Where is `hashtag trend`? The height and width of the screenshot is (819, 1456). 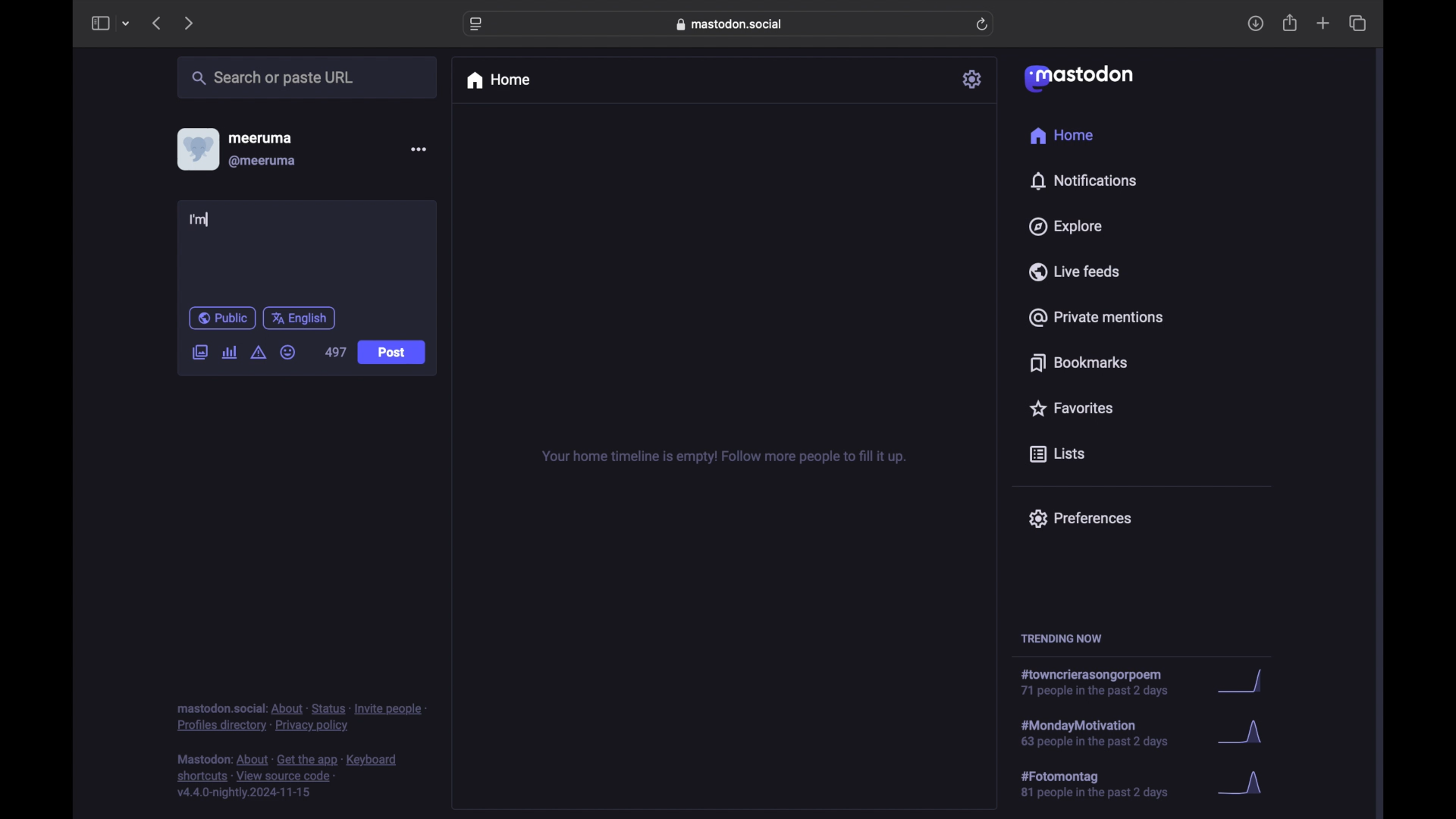 hashtag trend is located at coordinates (1105, 783).